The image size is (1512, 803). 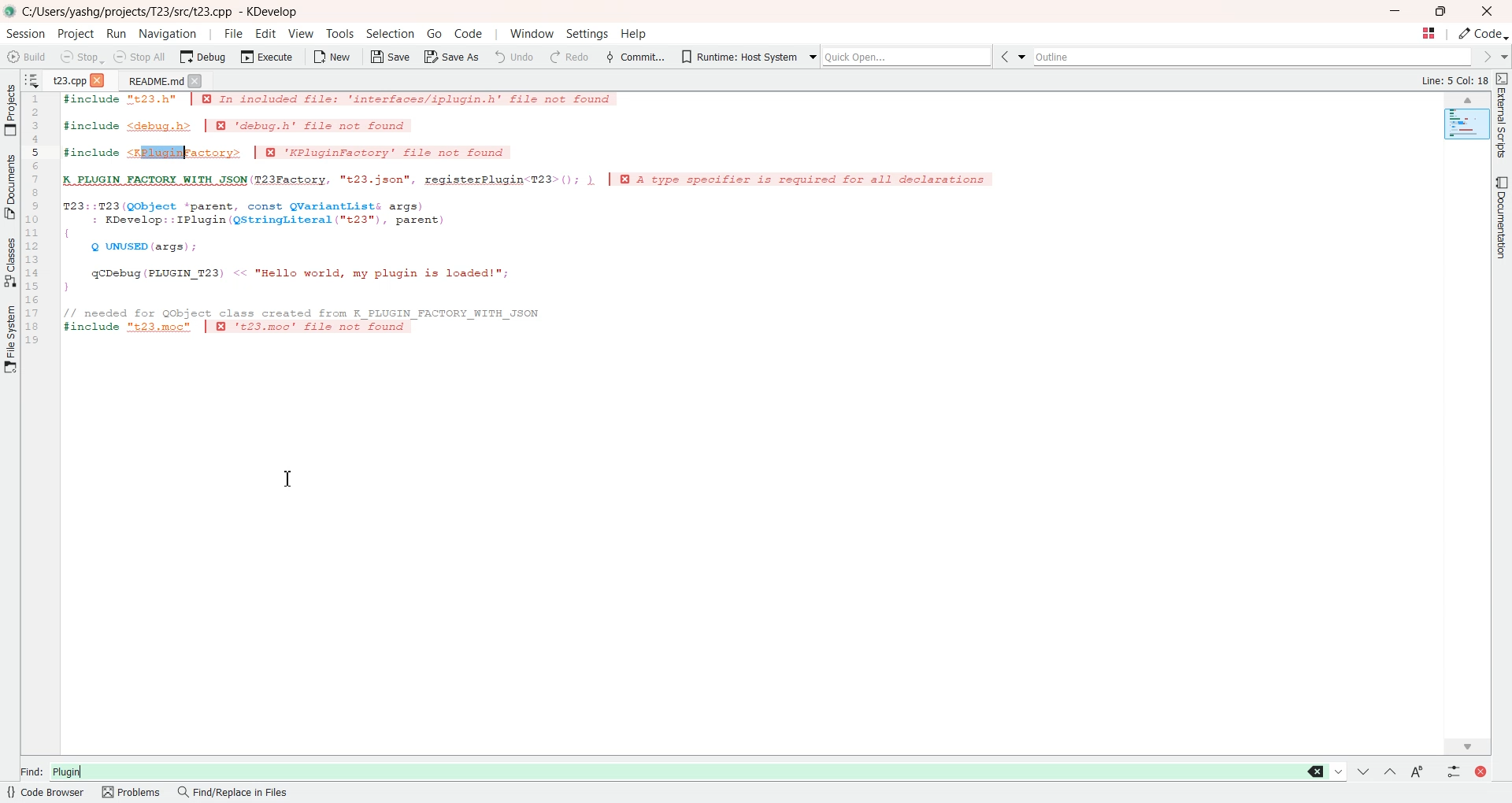 What do you see at coordinates (301, 33) in the screenshot?
I see `View` at bounding box center [301, 33].